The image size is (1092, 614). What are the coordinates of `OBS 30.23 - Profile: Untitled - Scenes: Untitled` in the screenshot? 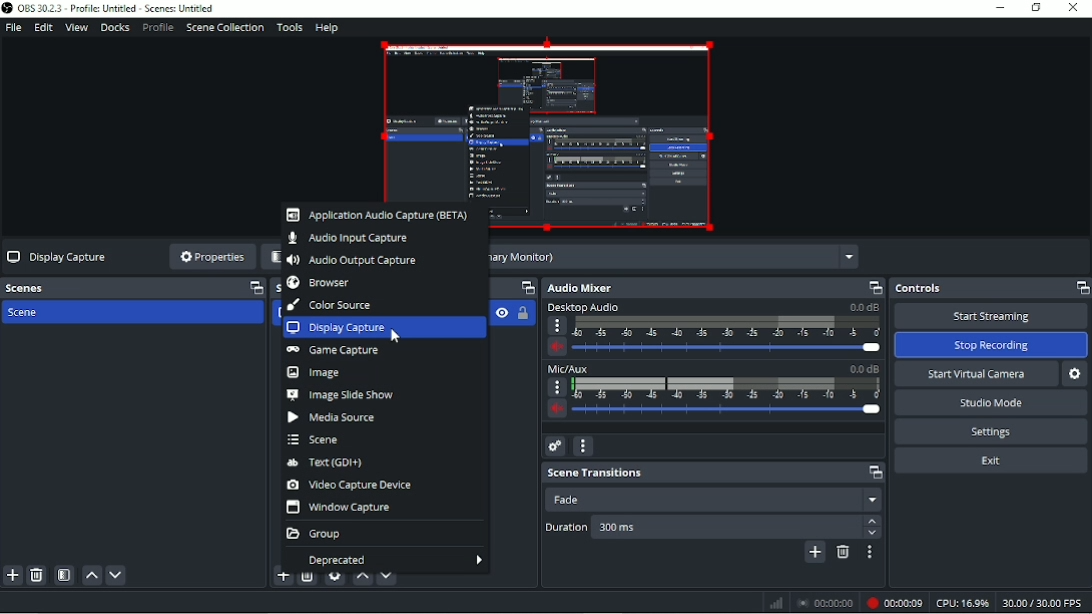 It's located at (117, 9).